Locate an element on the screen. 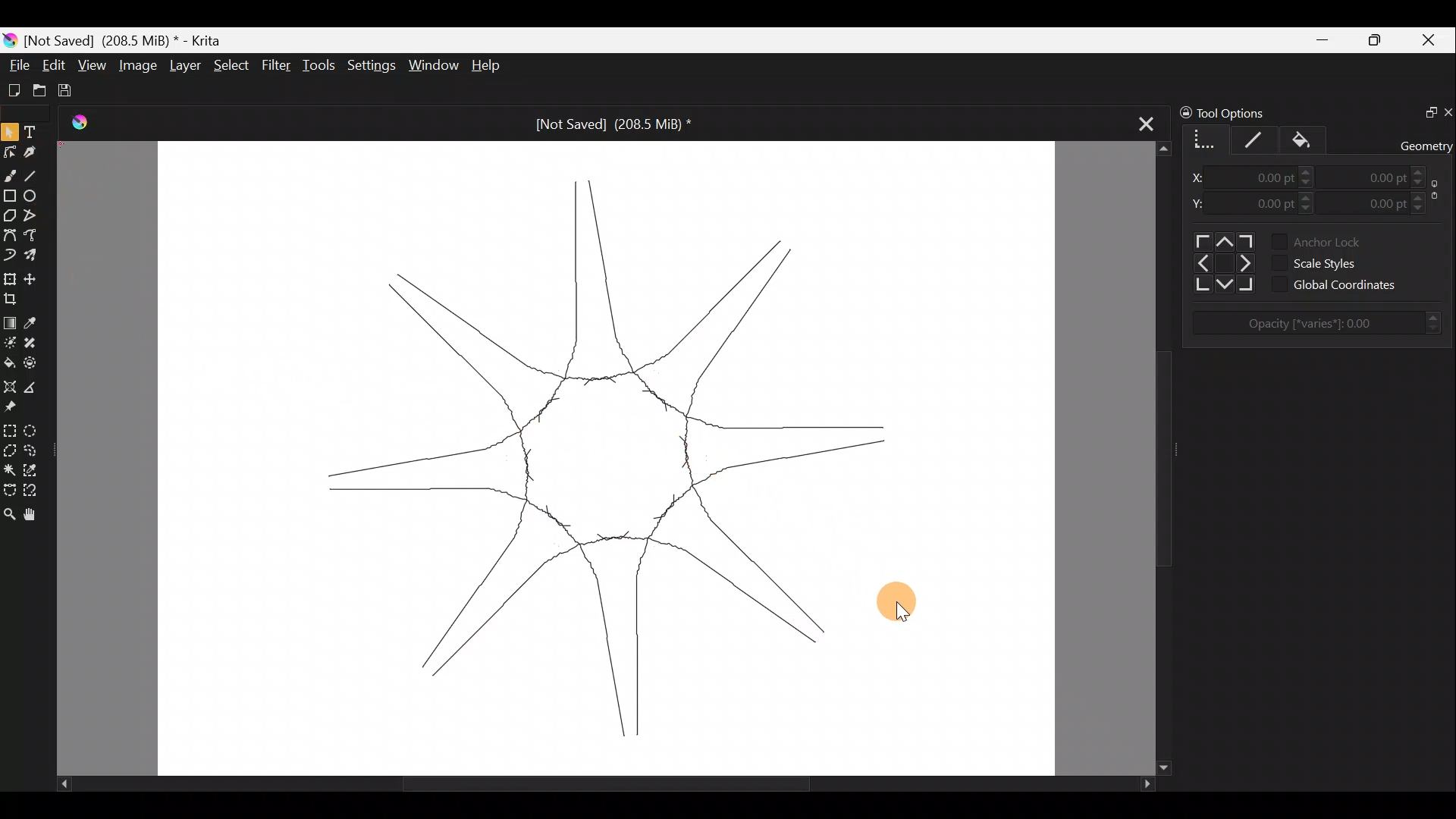  Settings is located at coordinates (369, 66).